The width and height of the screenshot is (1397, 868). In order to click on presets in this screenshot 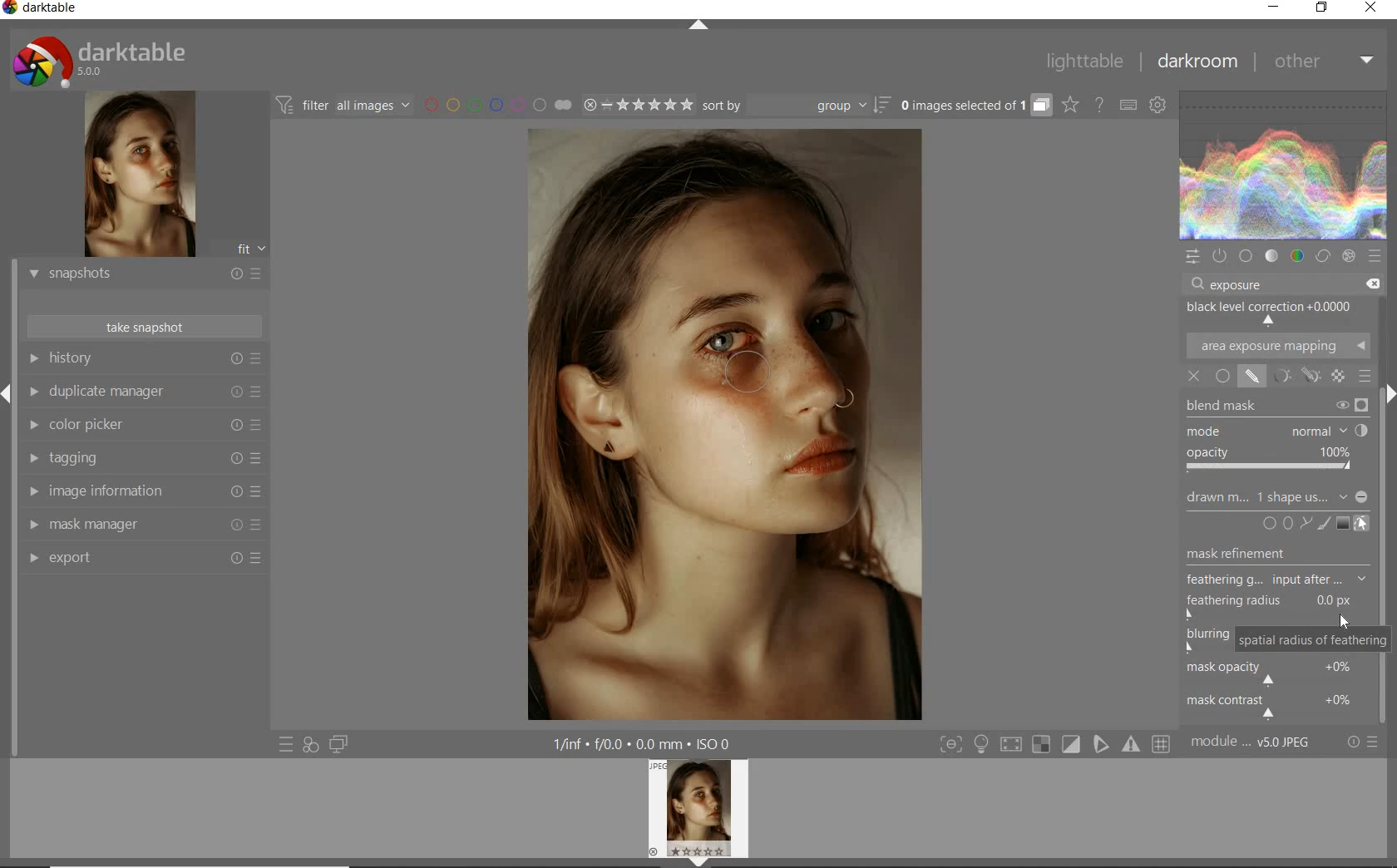, I will do `click(1375, 256)`.